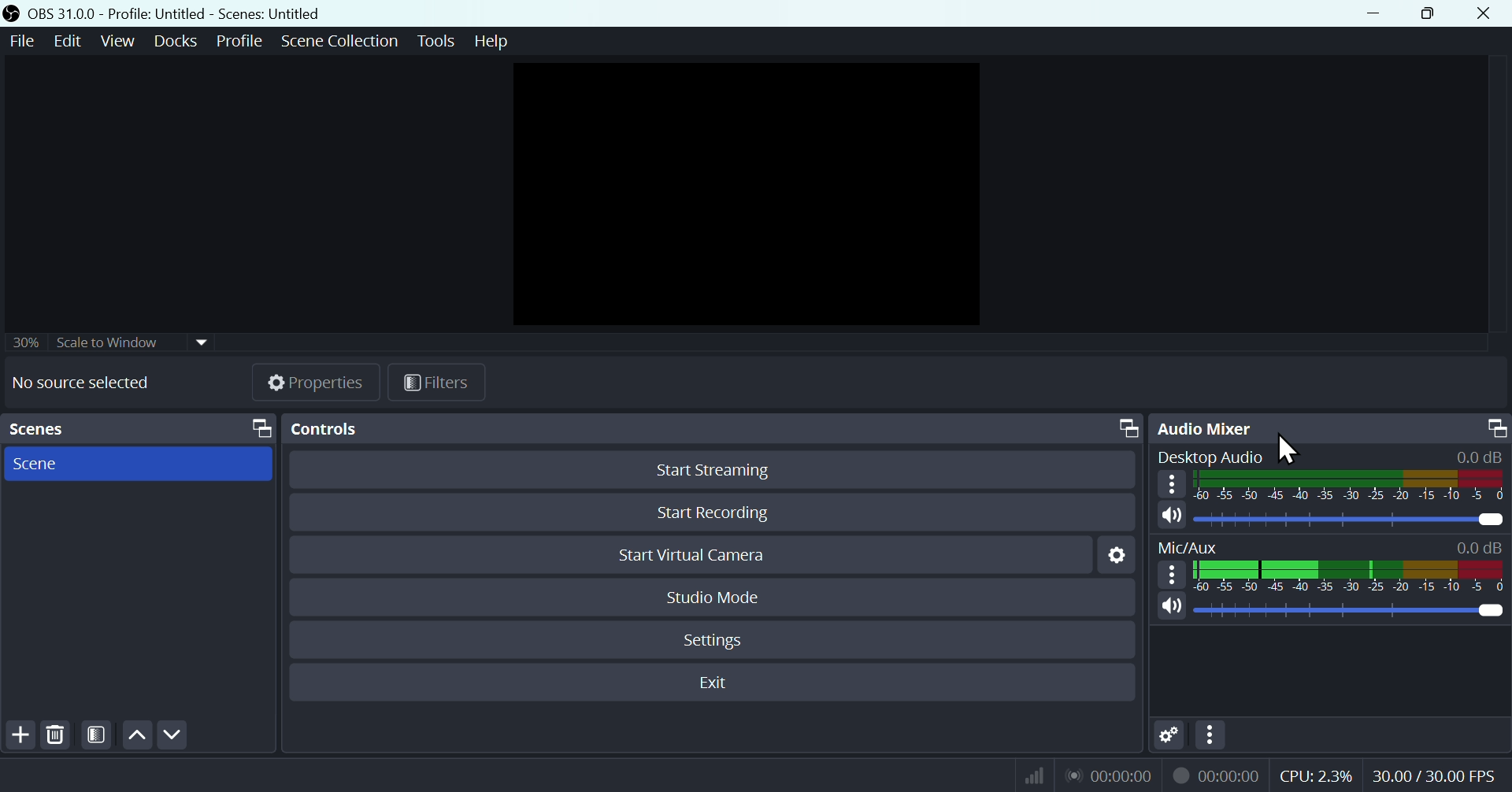 The height and width of the screenshot is (792, 1512). Describe the element at coordinates (1032, 775) in the screenshot. I see `Bitrate` at that location.